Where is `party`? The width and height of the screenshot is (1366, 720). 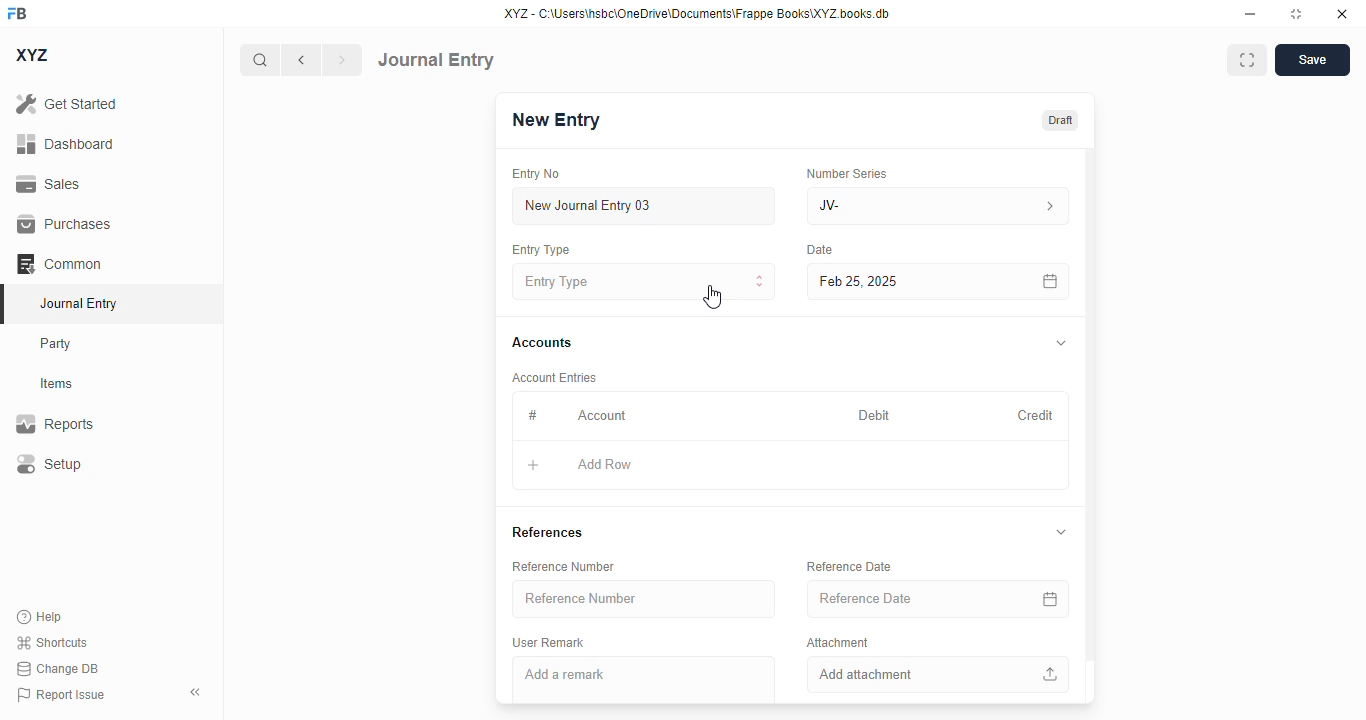 party is located at coordinates (56, 344).